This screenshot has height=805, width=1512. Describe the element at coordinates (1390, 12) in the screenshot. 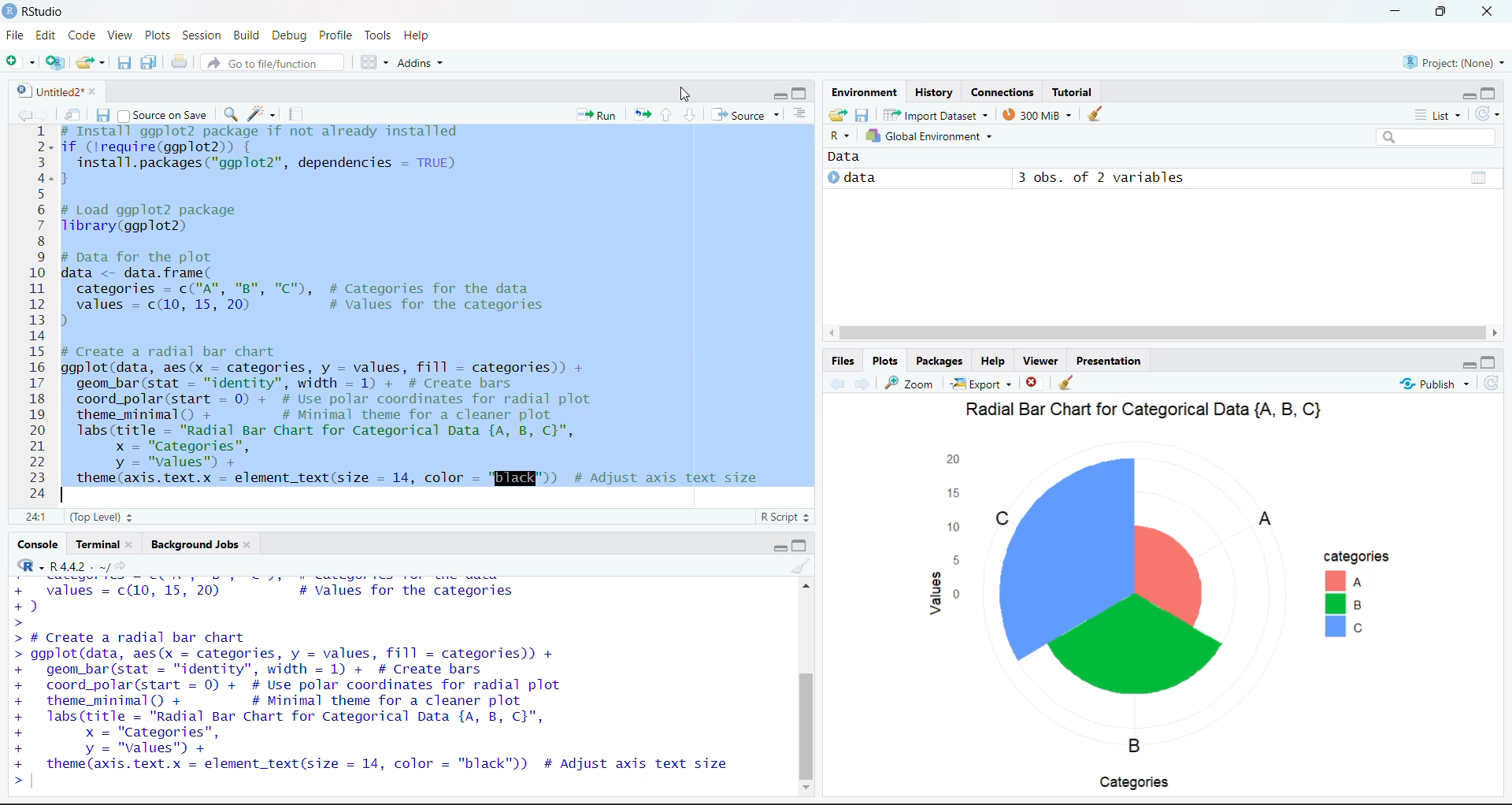

I see `minimize` at that location.